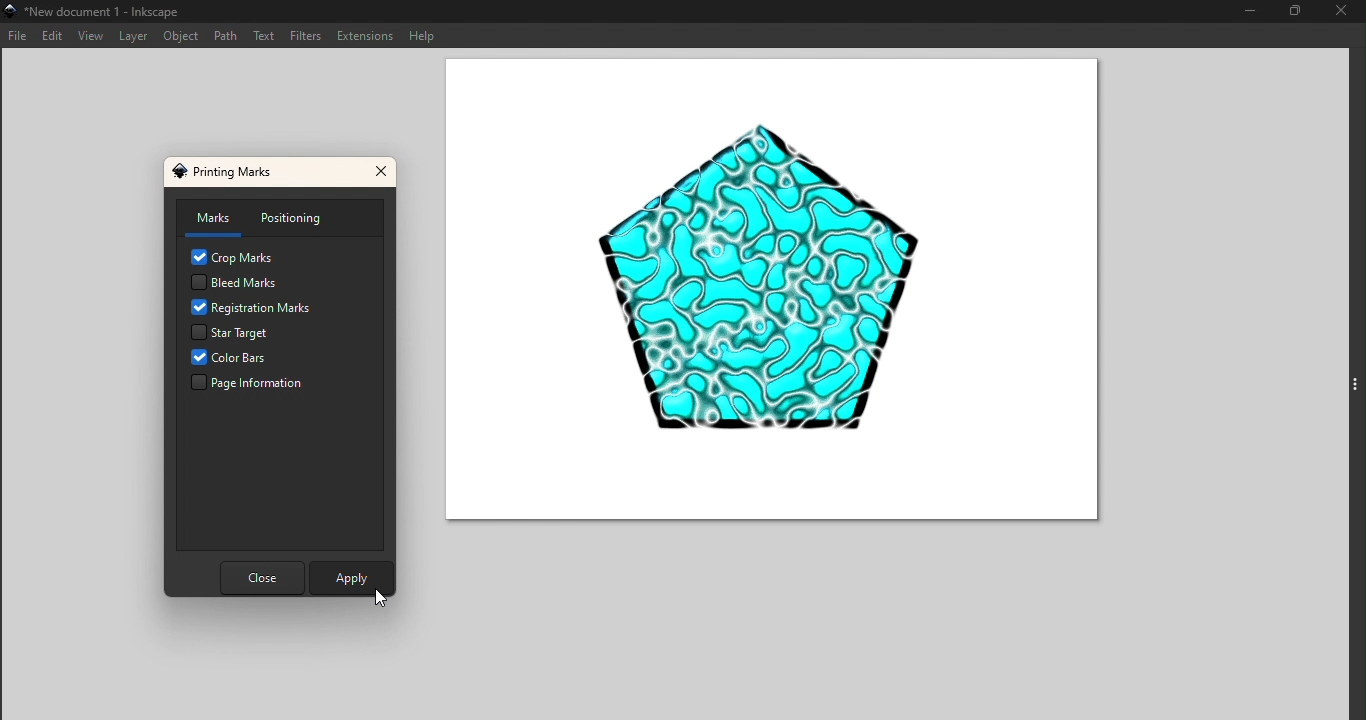 Image resolution: width=1366 pixels, height=720 pixels. I want to click on Close, so click(383, 174).